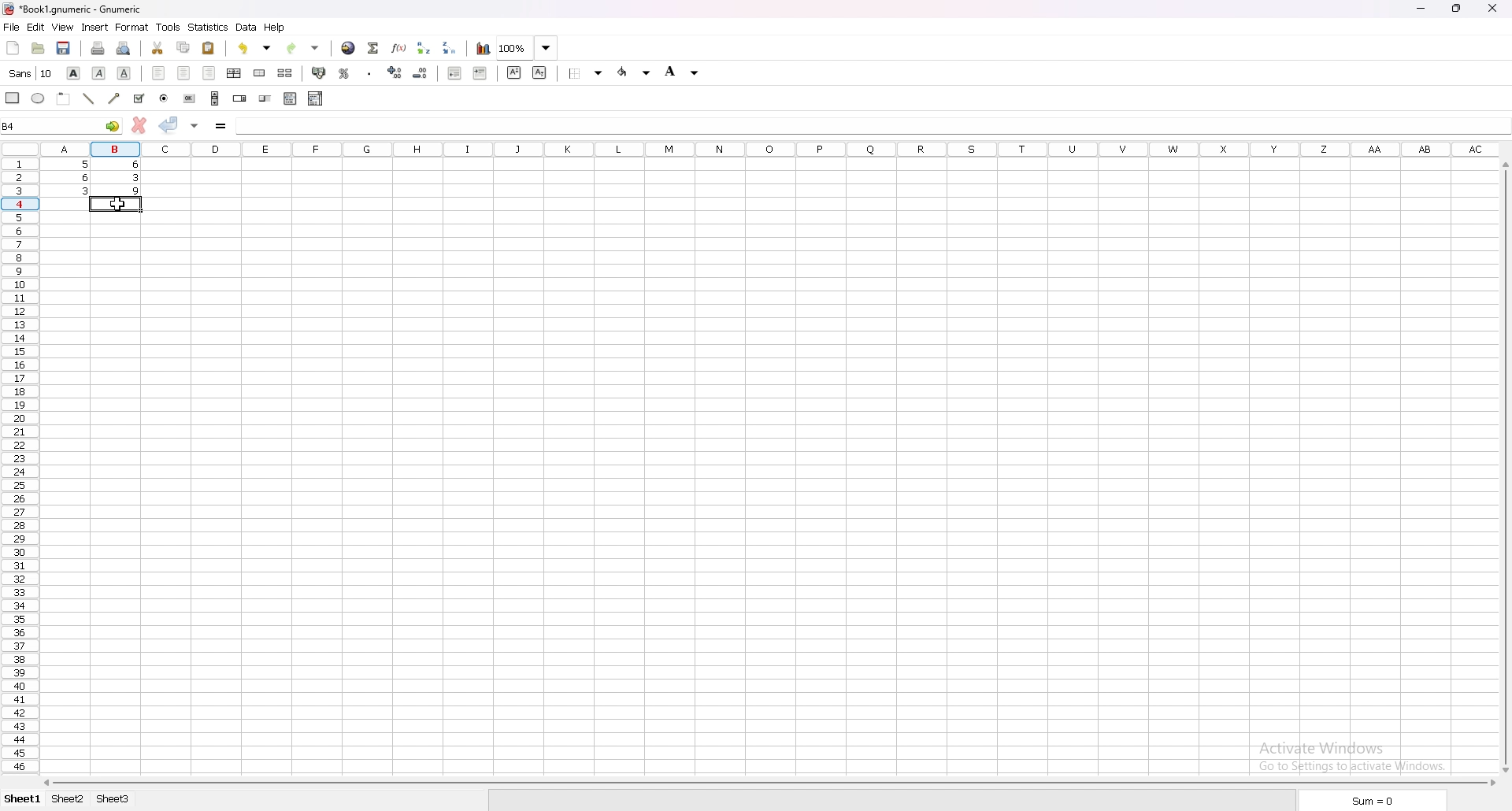 This screenshot has height=811, width=1512. I want to click on superscript, so click(515, 72).